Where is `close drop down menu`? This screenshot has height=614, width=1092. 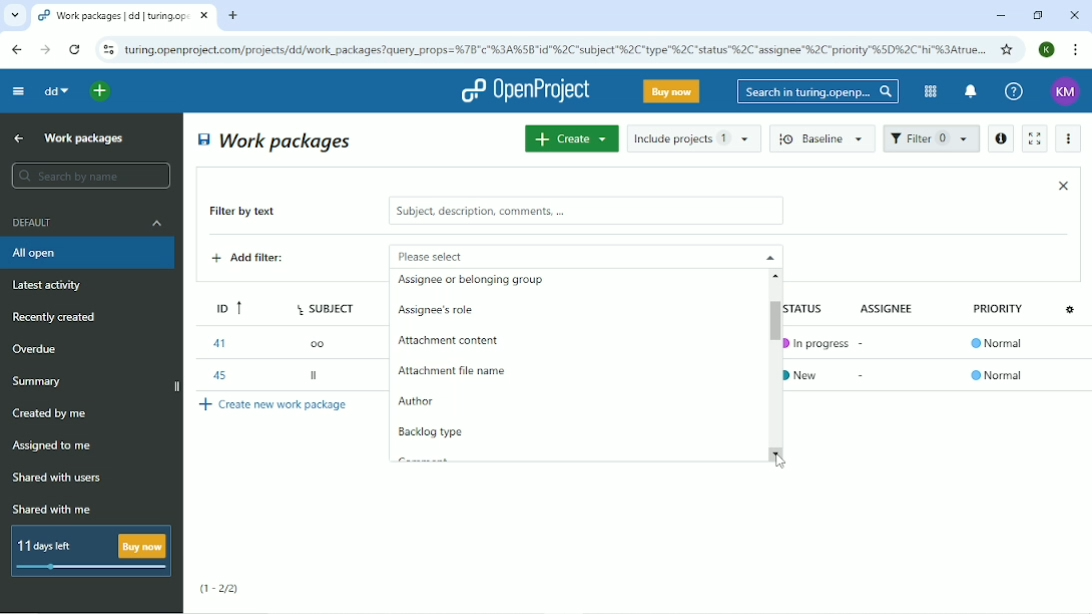 close drop down menu is located at coordinates (768, 256).